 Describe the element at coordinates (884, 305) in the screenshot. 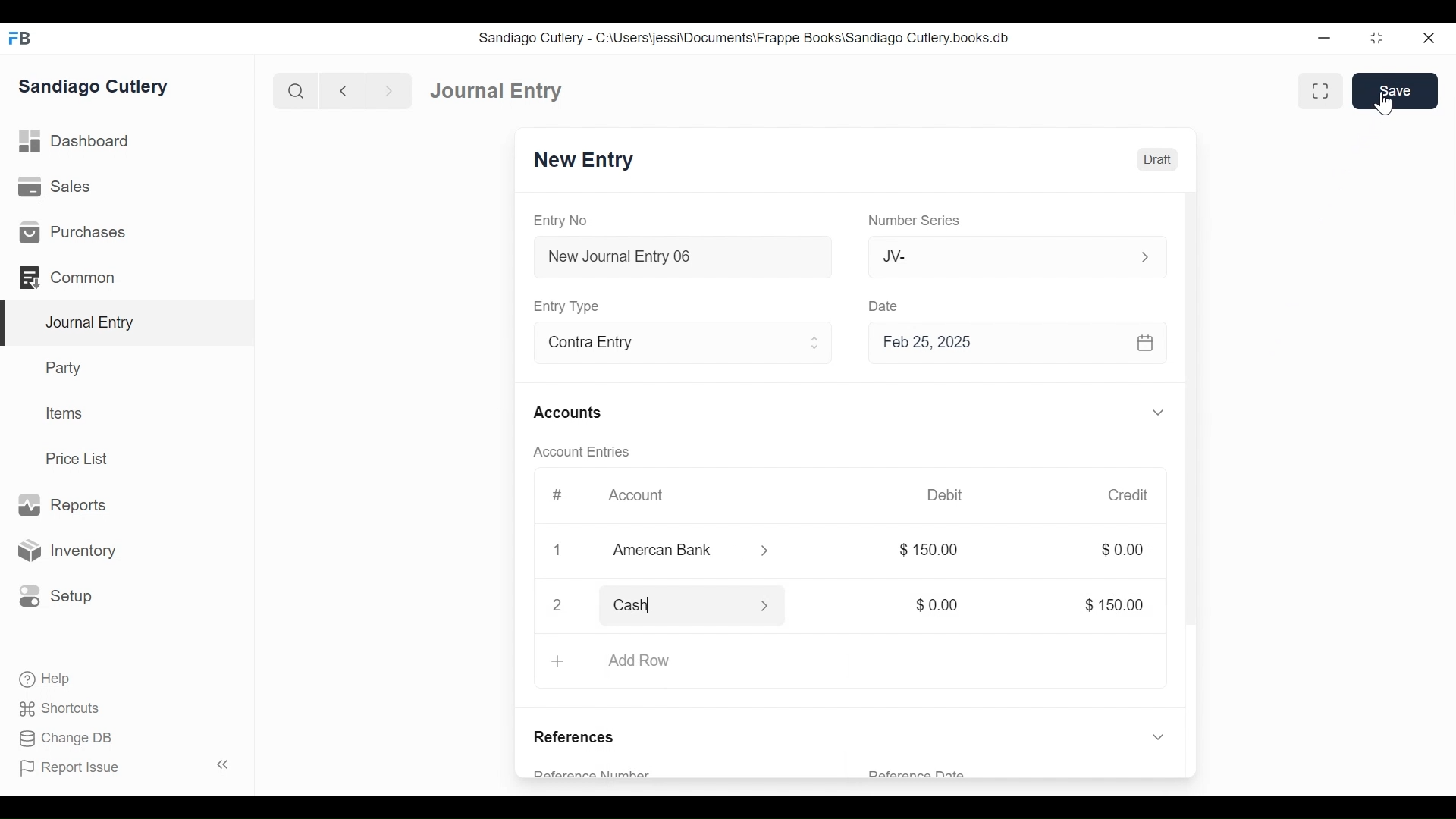

I see `Date` at that location.